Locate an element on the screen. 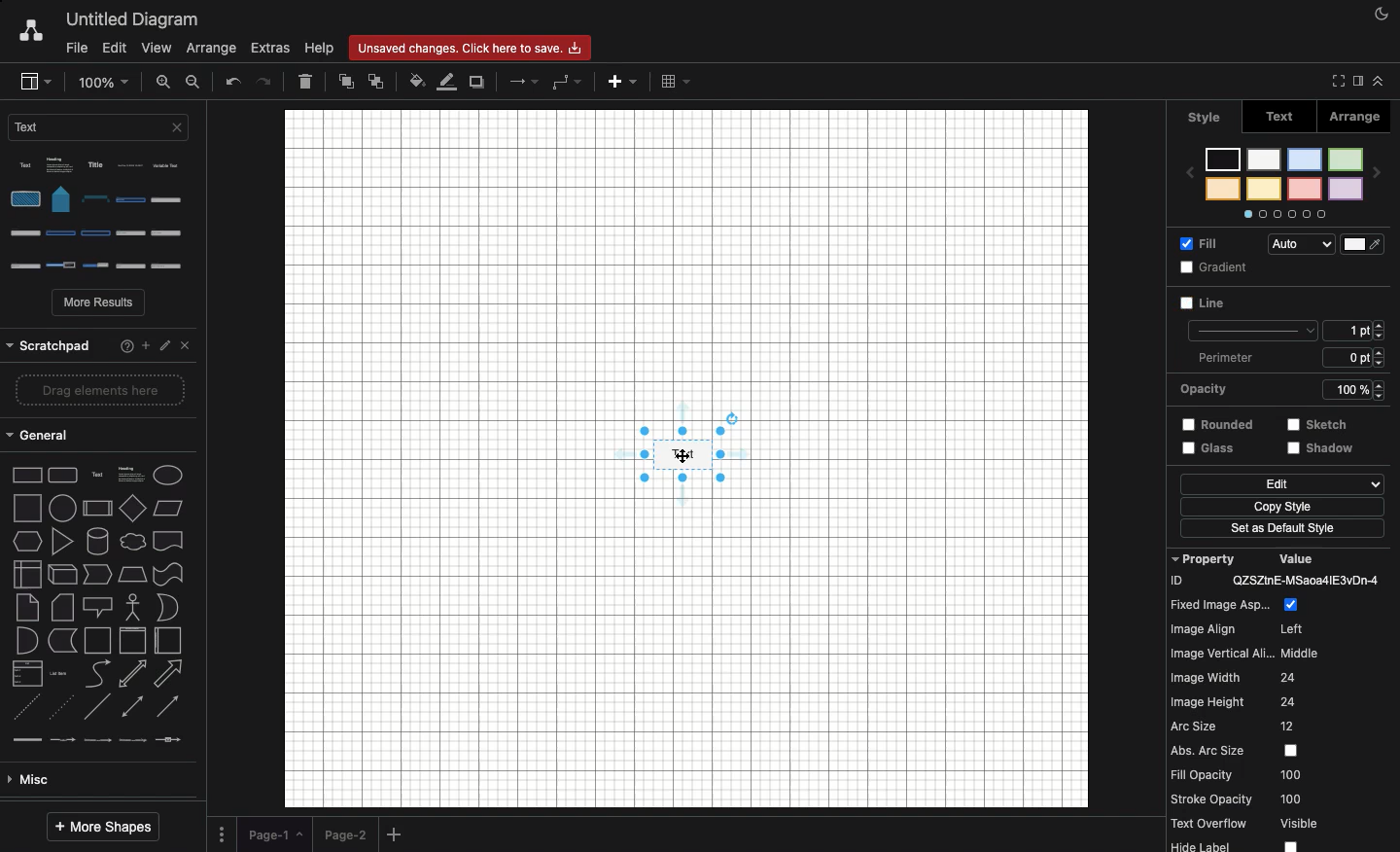 The height and width of the screenshot is (852, 1400). Perimeter is located at coordinates (1286, 330).